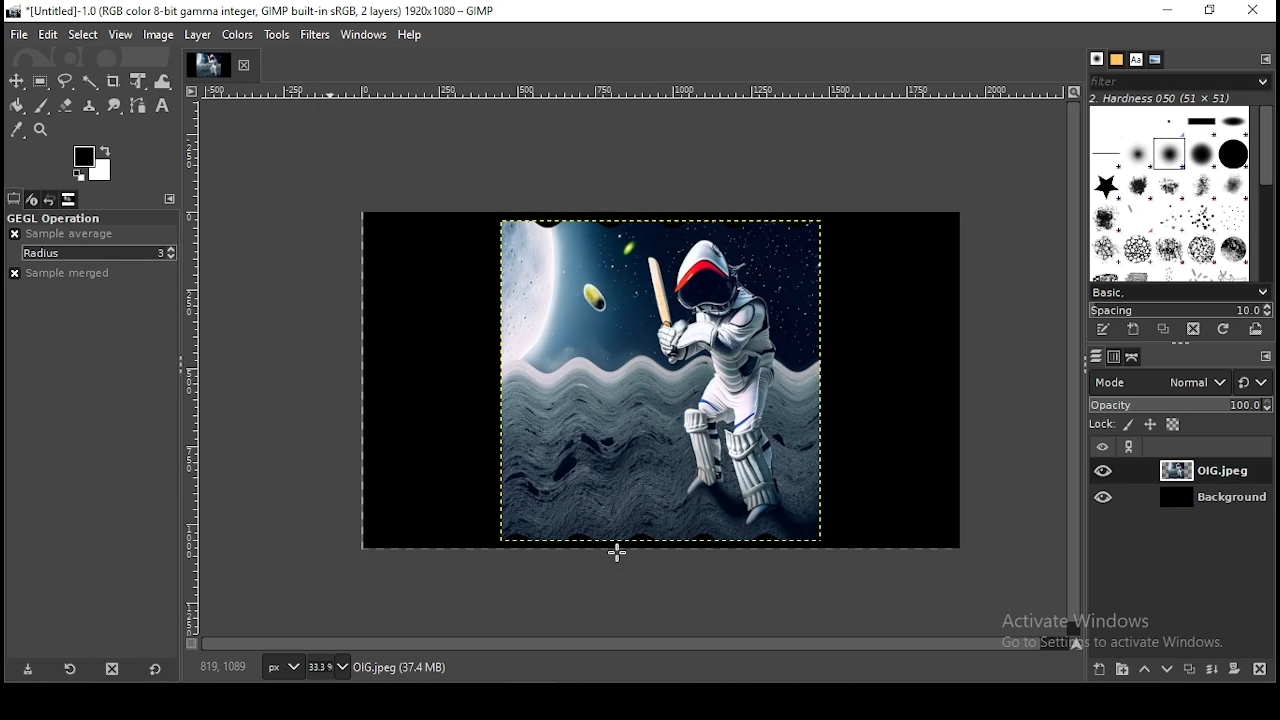 This screenshot has width=1280, height=720. Describe the element at coordinates (1181, 80) in the screenshot. I see `search filters` at that location.